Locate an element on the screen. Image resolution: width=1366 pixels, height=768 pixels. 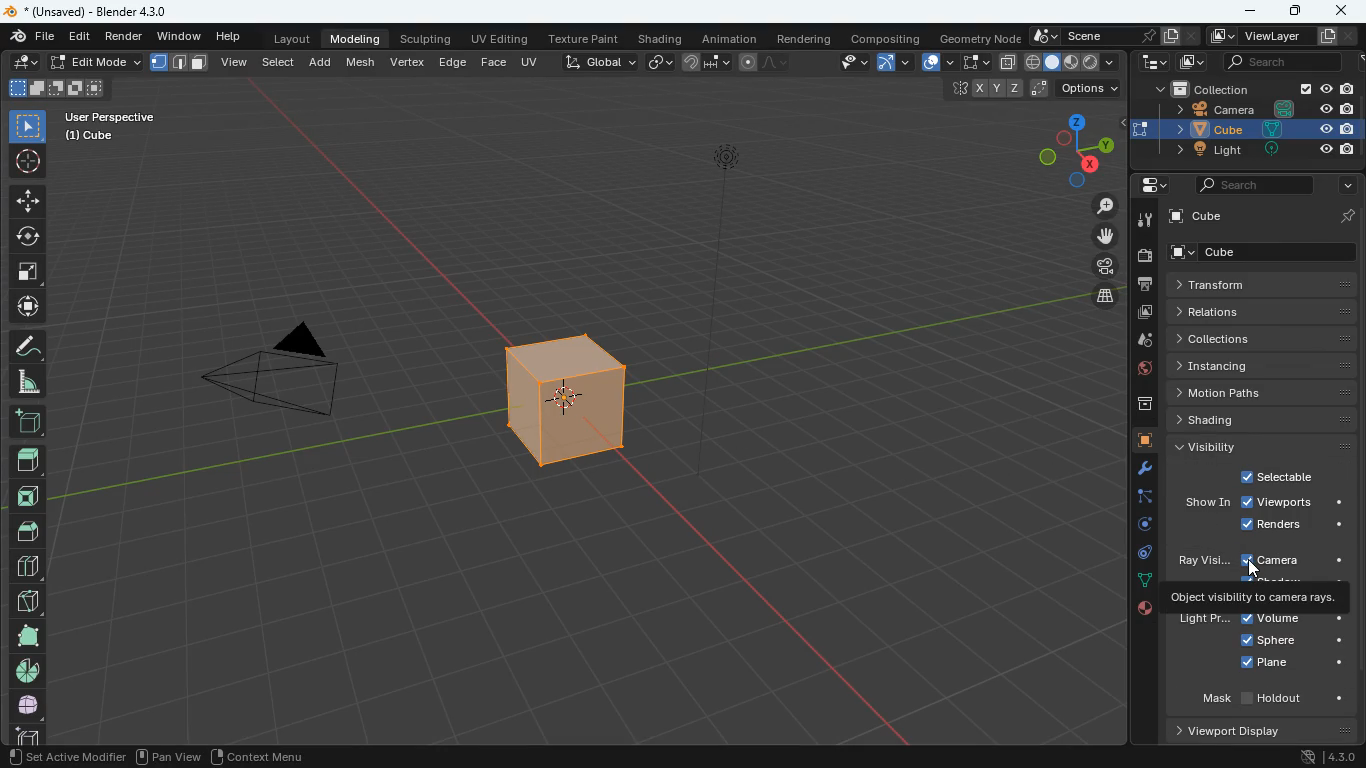
sphere is located at coordinates (1289, 639).